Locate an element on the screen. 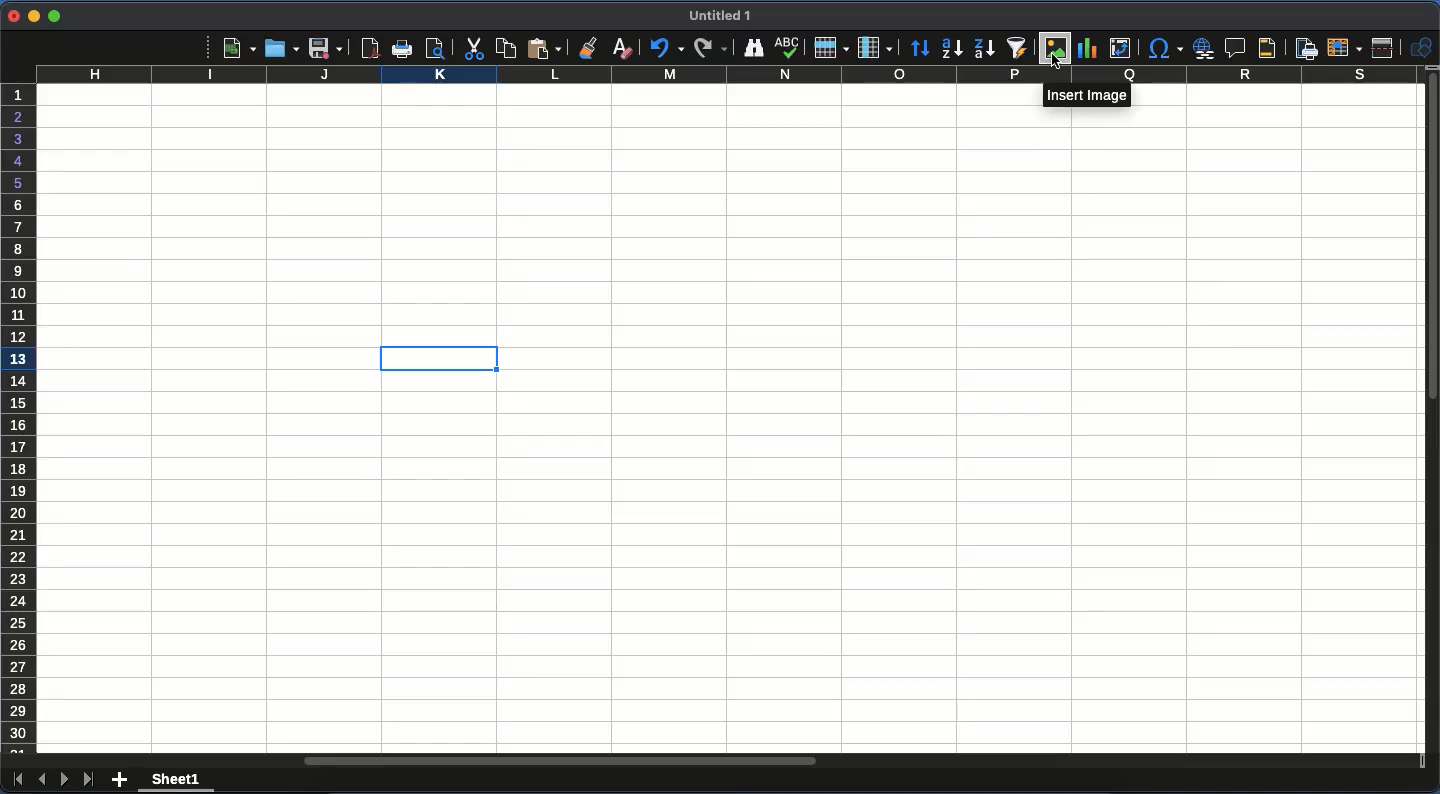 The height and width of the screenshot is (794, 1440). previous sheet is located at coordinates (41, 779).